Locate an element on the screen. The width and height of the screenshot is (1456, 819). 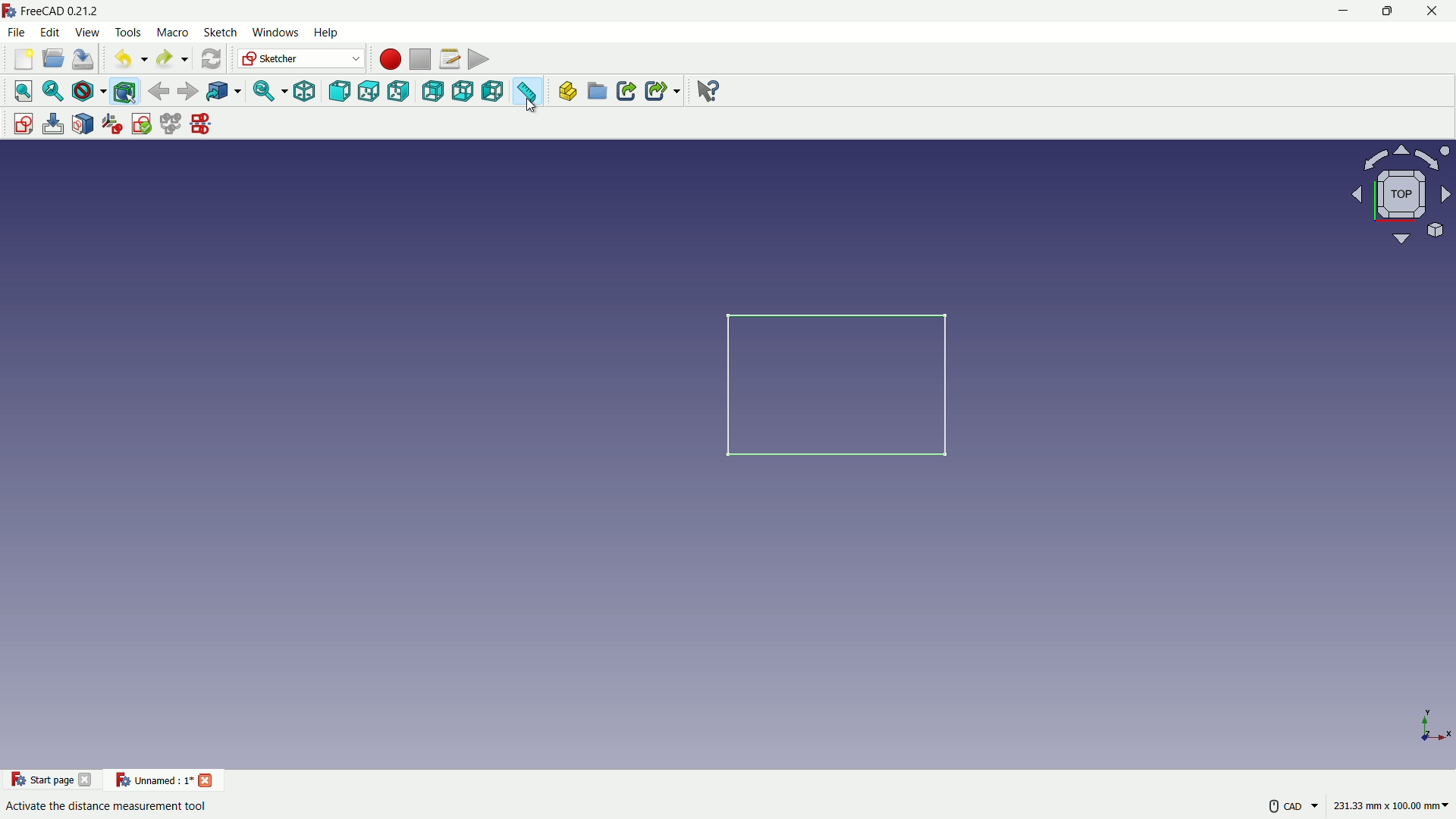
rotate or change view is located at coordinates (1388, 194).